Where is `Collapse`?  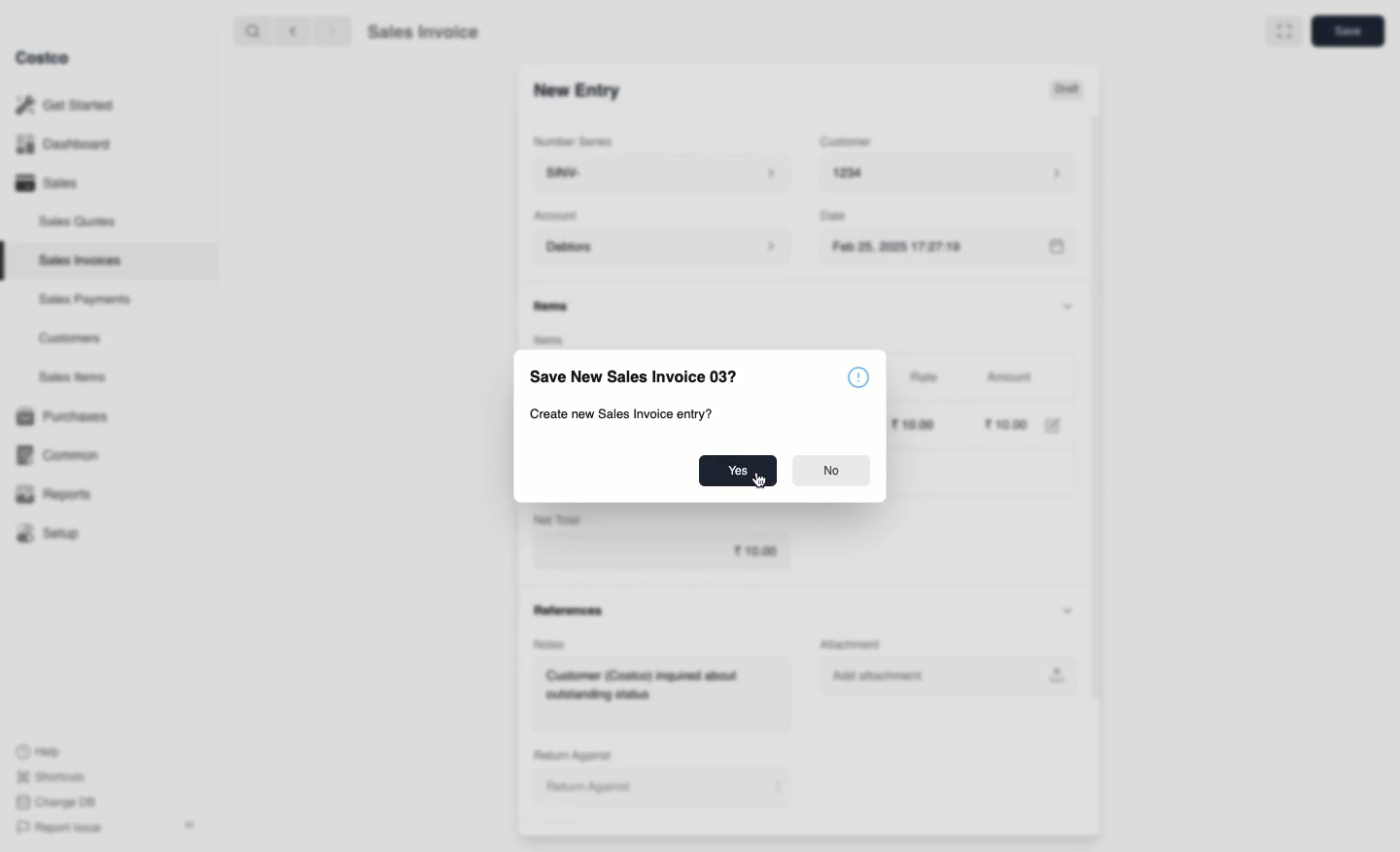
Collapse is located at coordinates (189, 825).